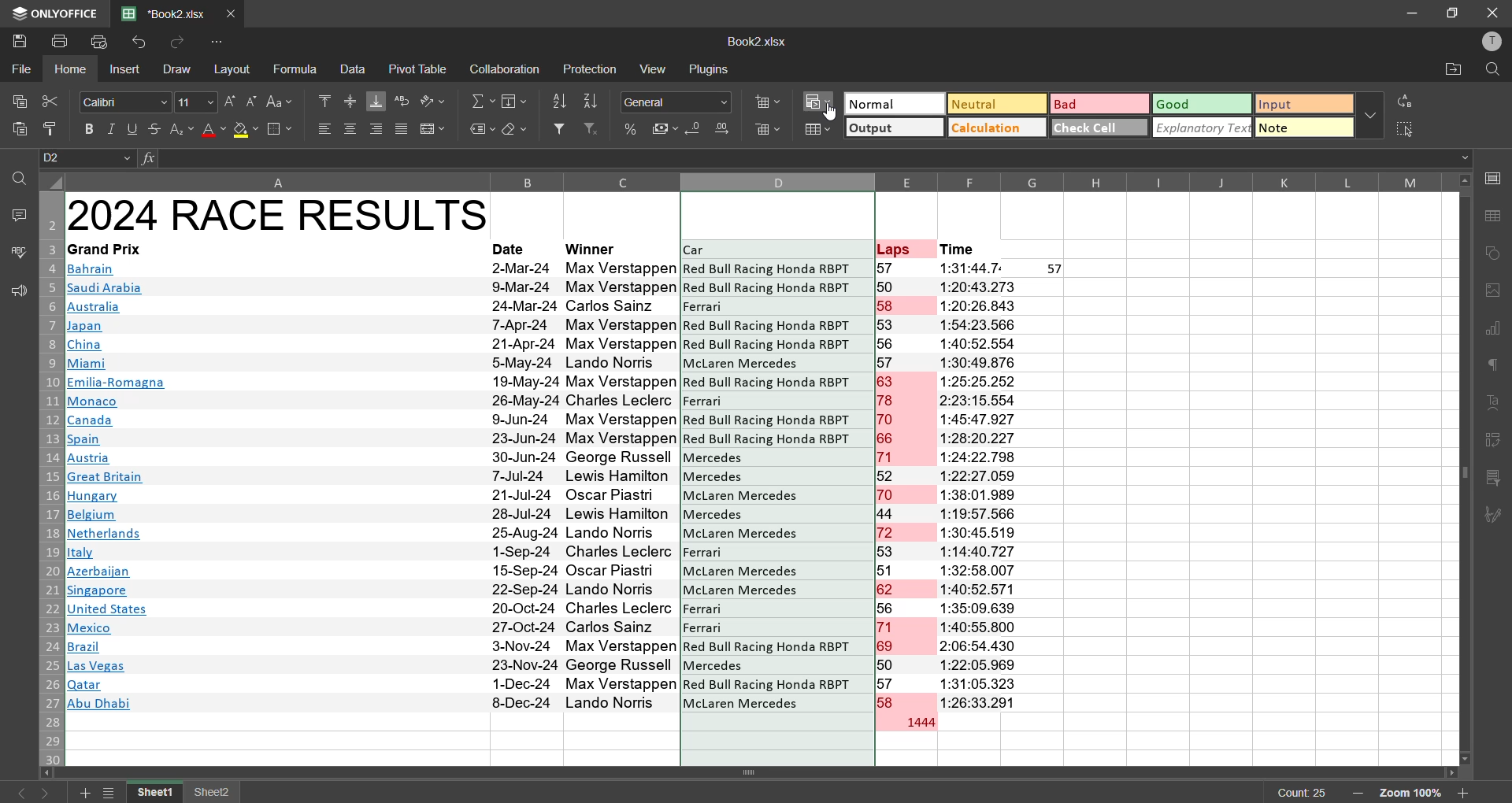 This screenshot has height=803, width=1512. Describe the element at coordinates (1406, 128) in the screenshot. I see `select all` at that location.